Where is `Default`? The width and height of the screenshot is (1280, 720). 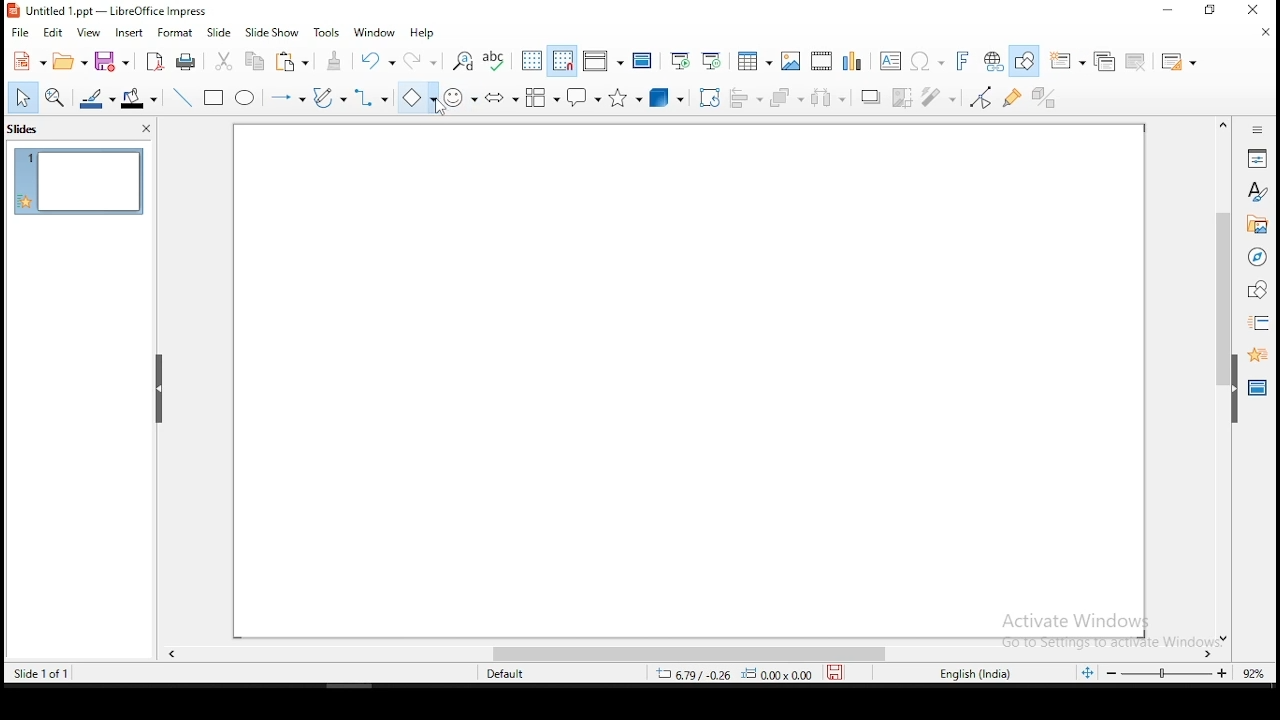 Default is located at coordinates (514, 674).